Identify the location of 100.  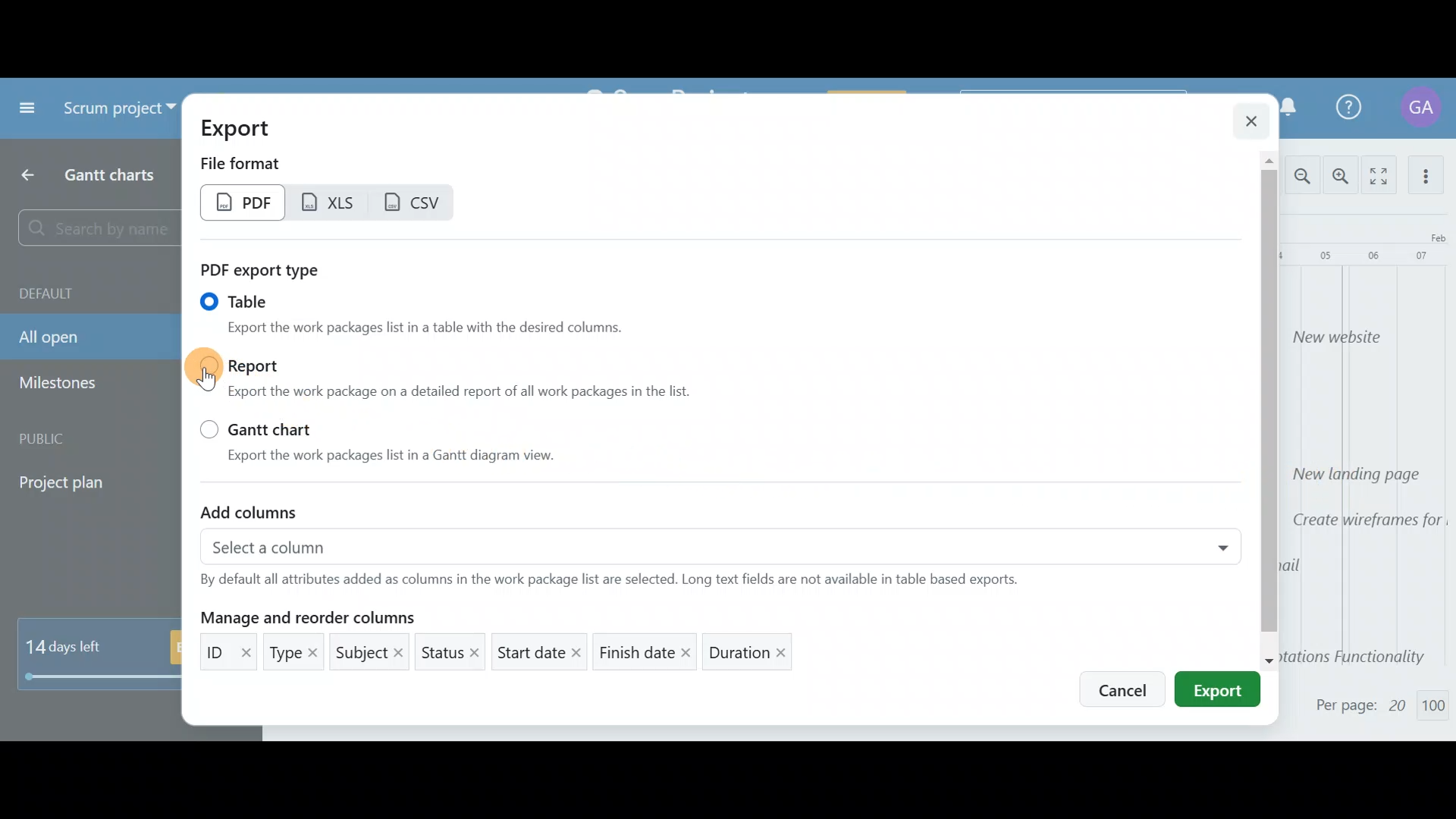
(1437, 701).